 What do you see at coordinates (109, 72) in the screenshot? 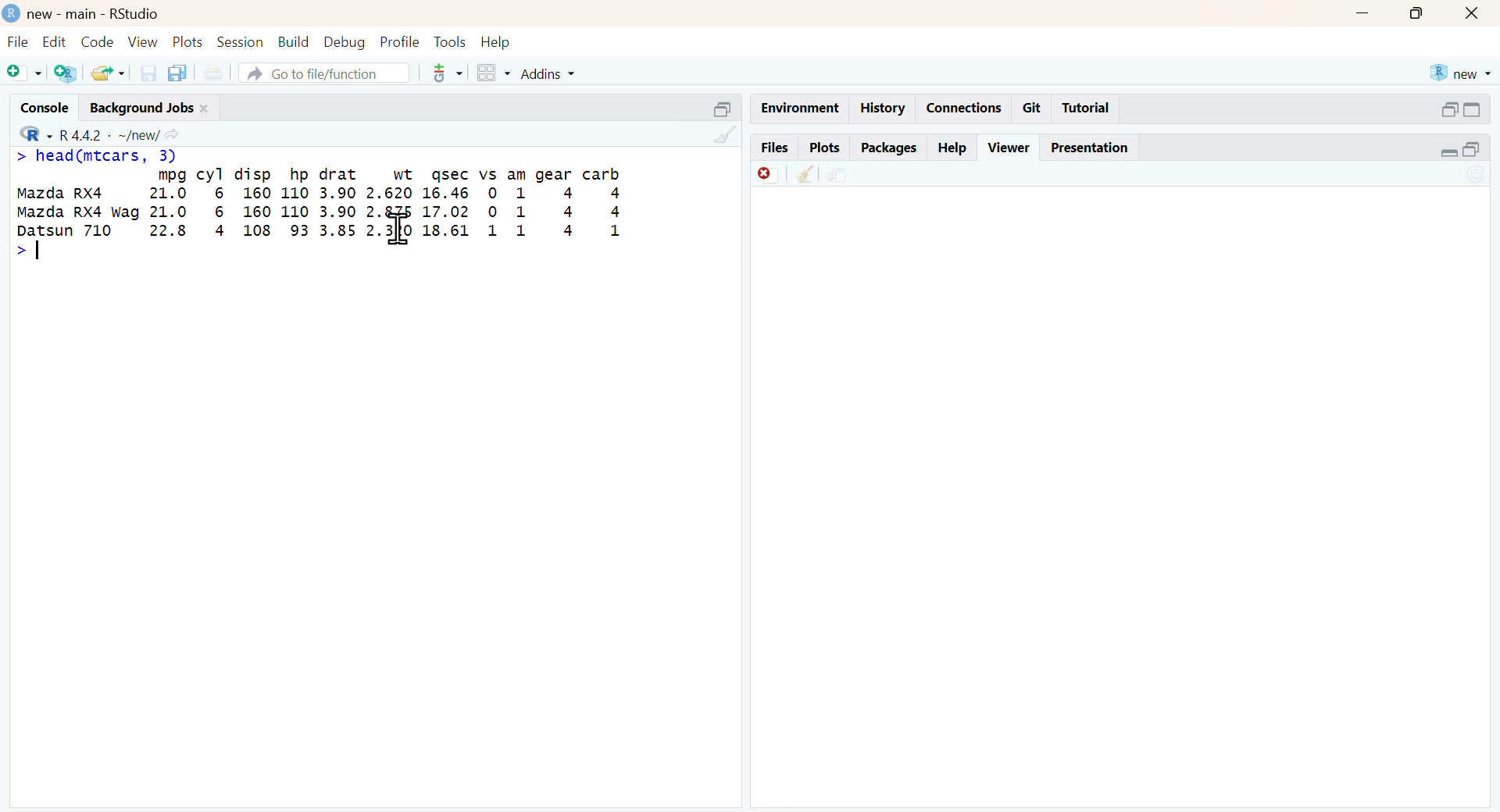
I see `Open file` at bounding box center [109, 72].